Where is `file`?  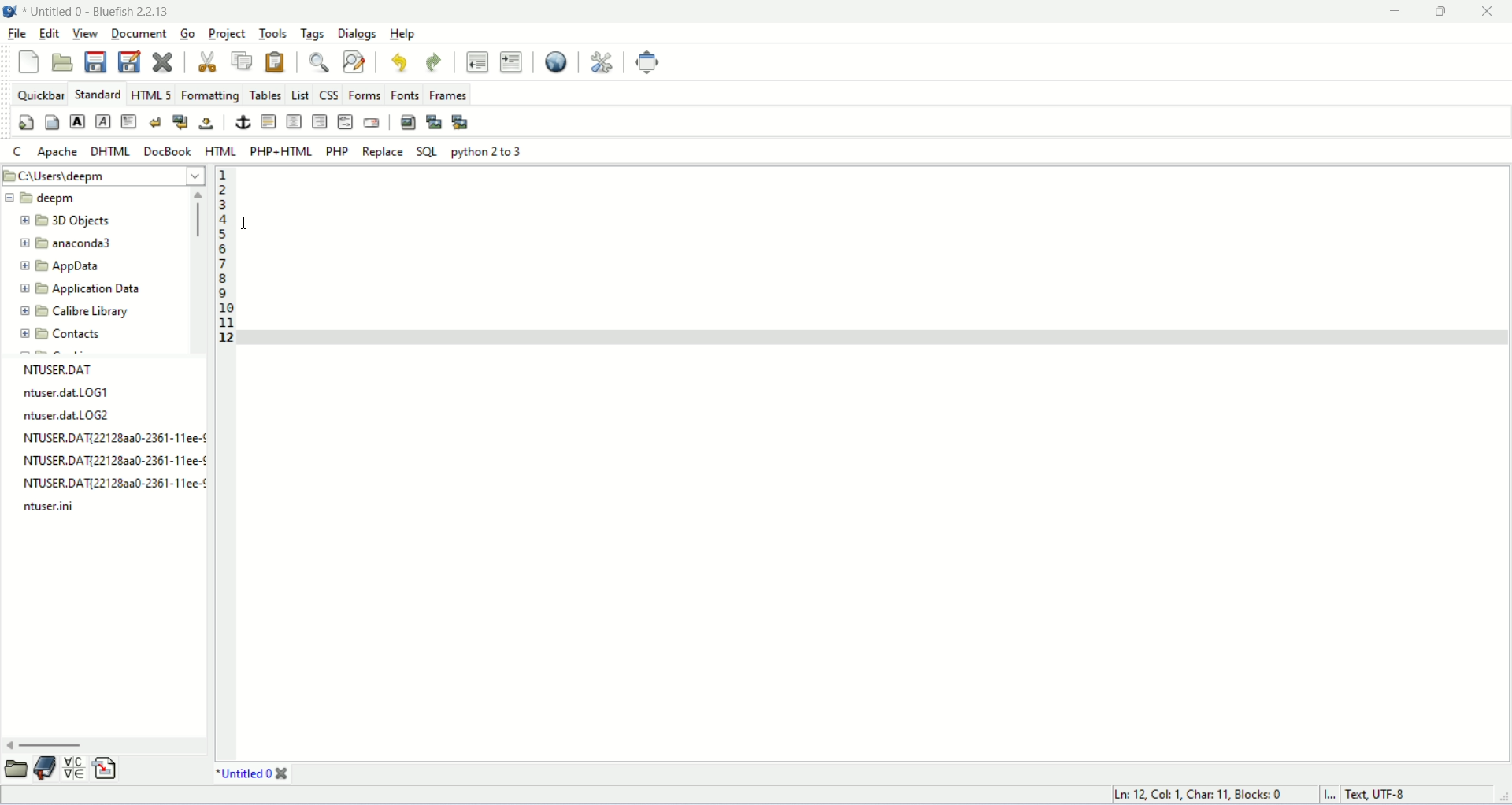
file is located at coordinates (15, 32).